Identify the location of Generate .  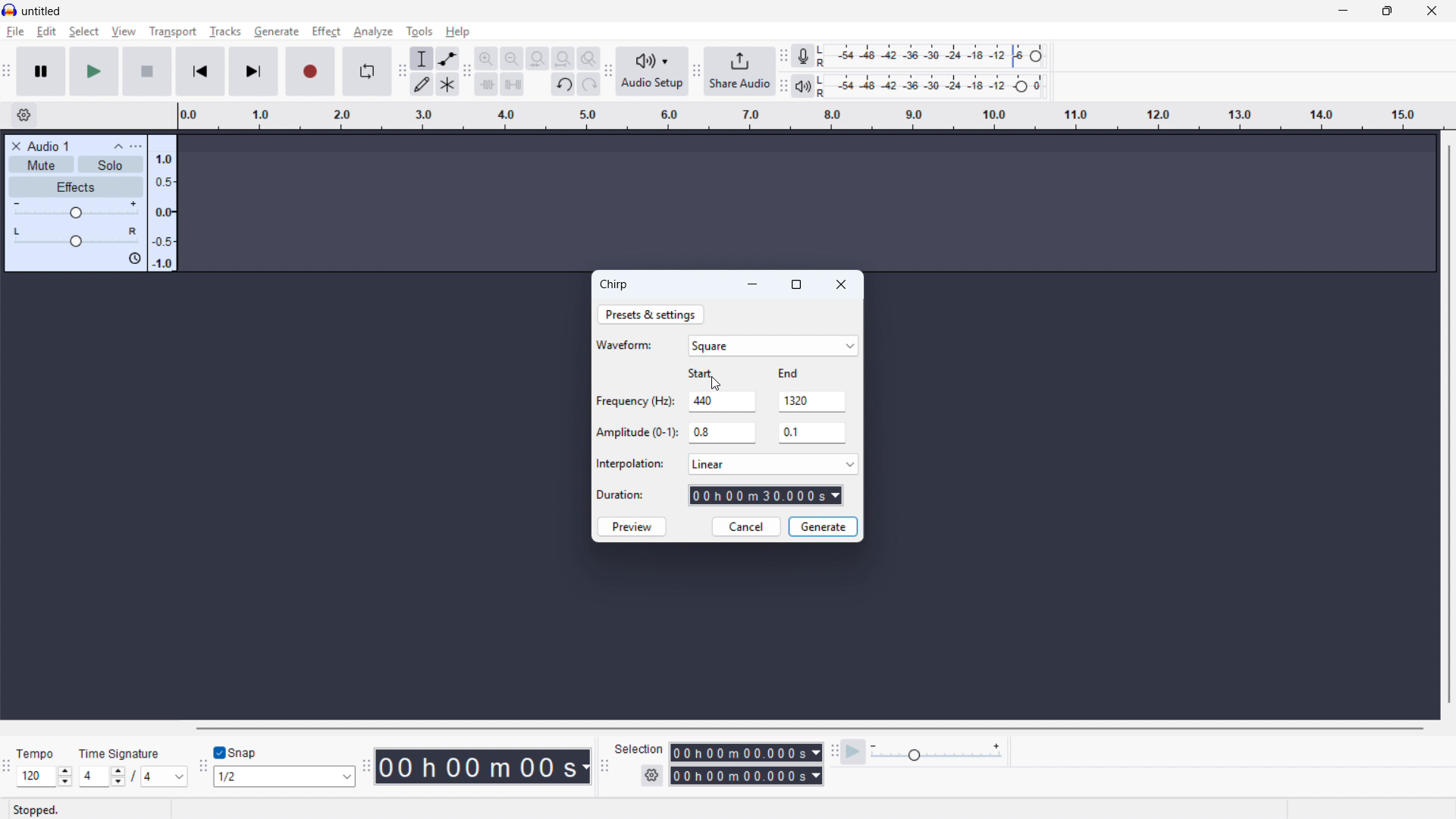
(823, 527).